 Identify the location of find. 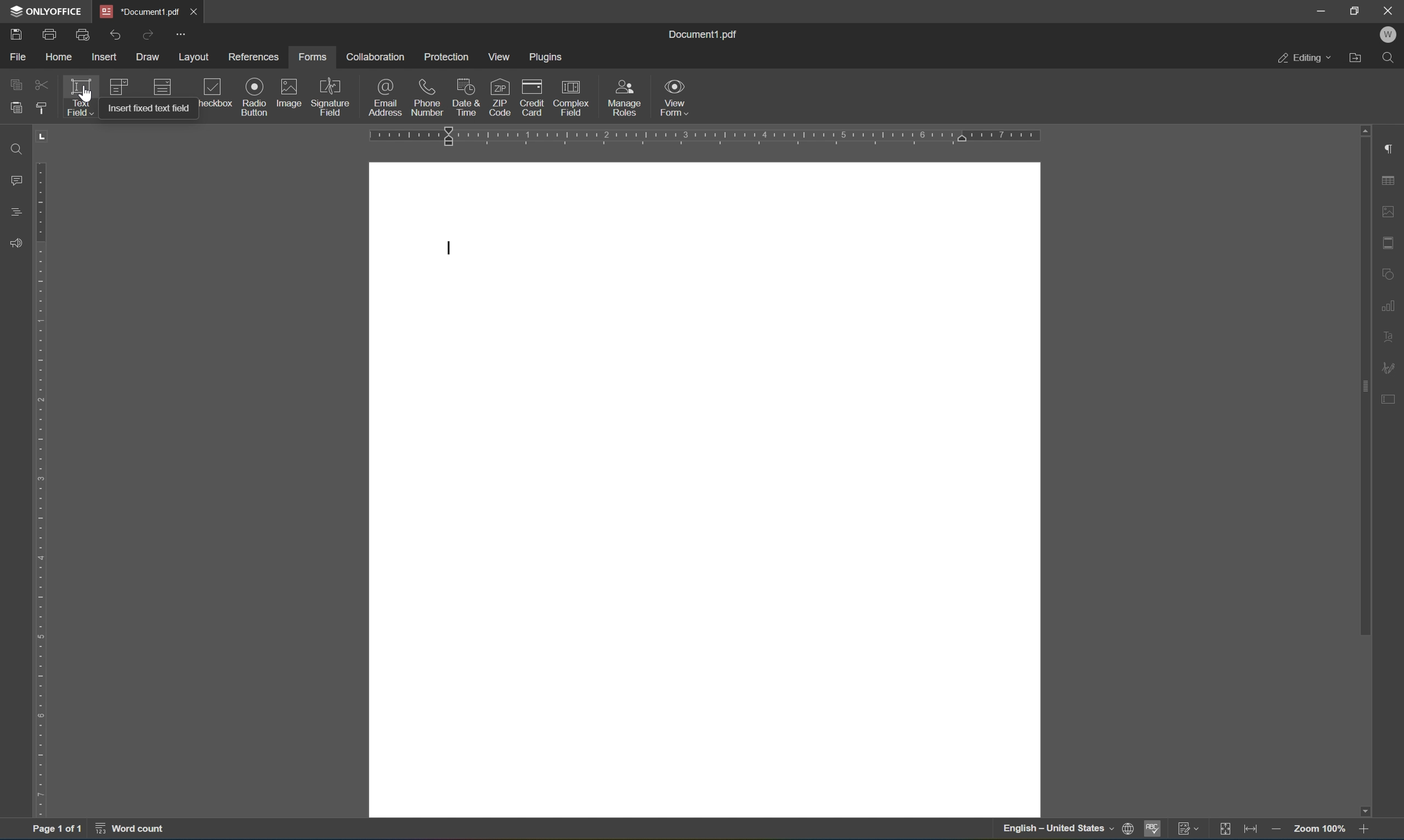
(16, 148).